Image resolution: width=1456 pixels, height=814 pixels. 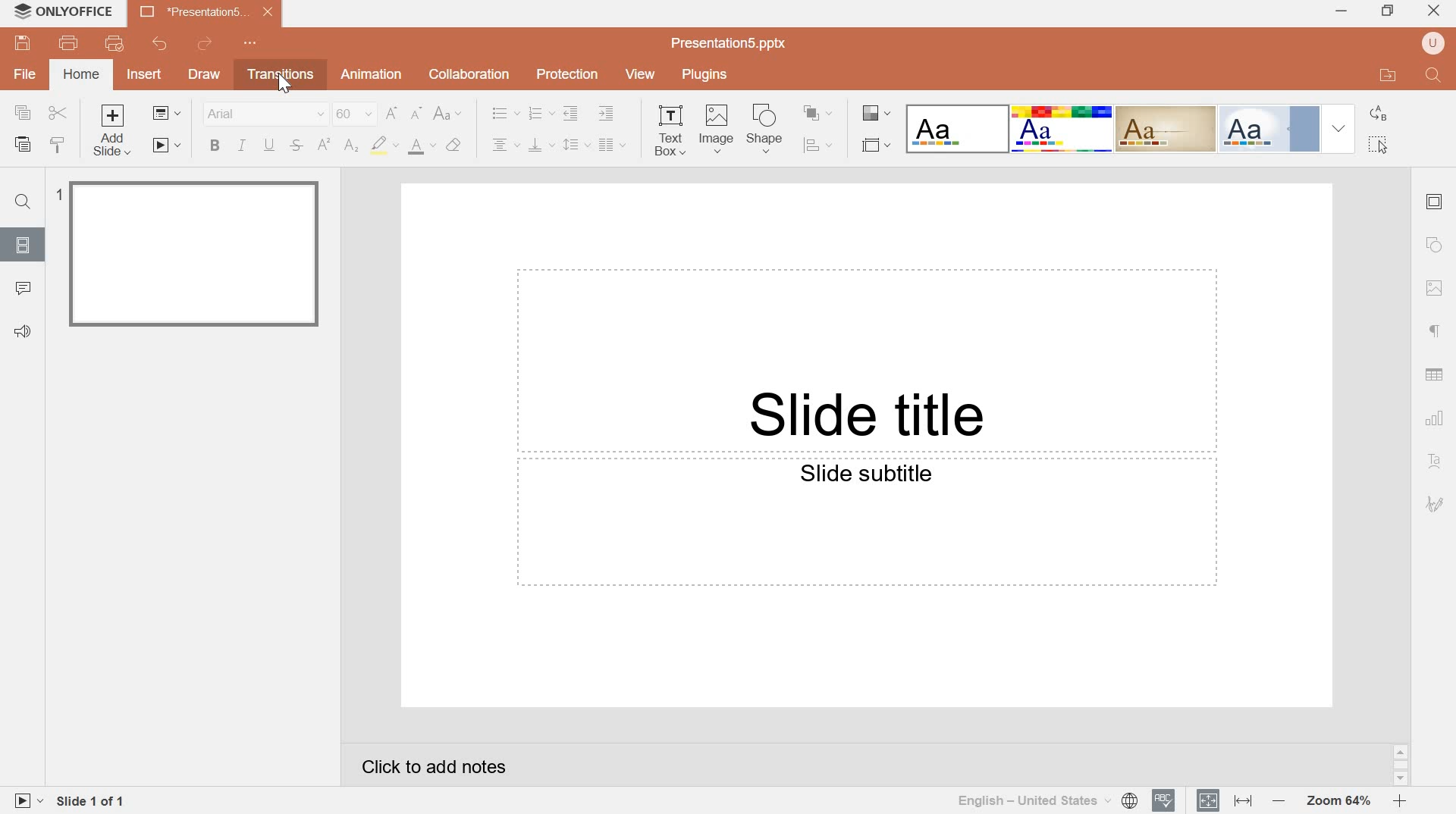 I want to click on undo, so click(x=158, y=42).